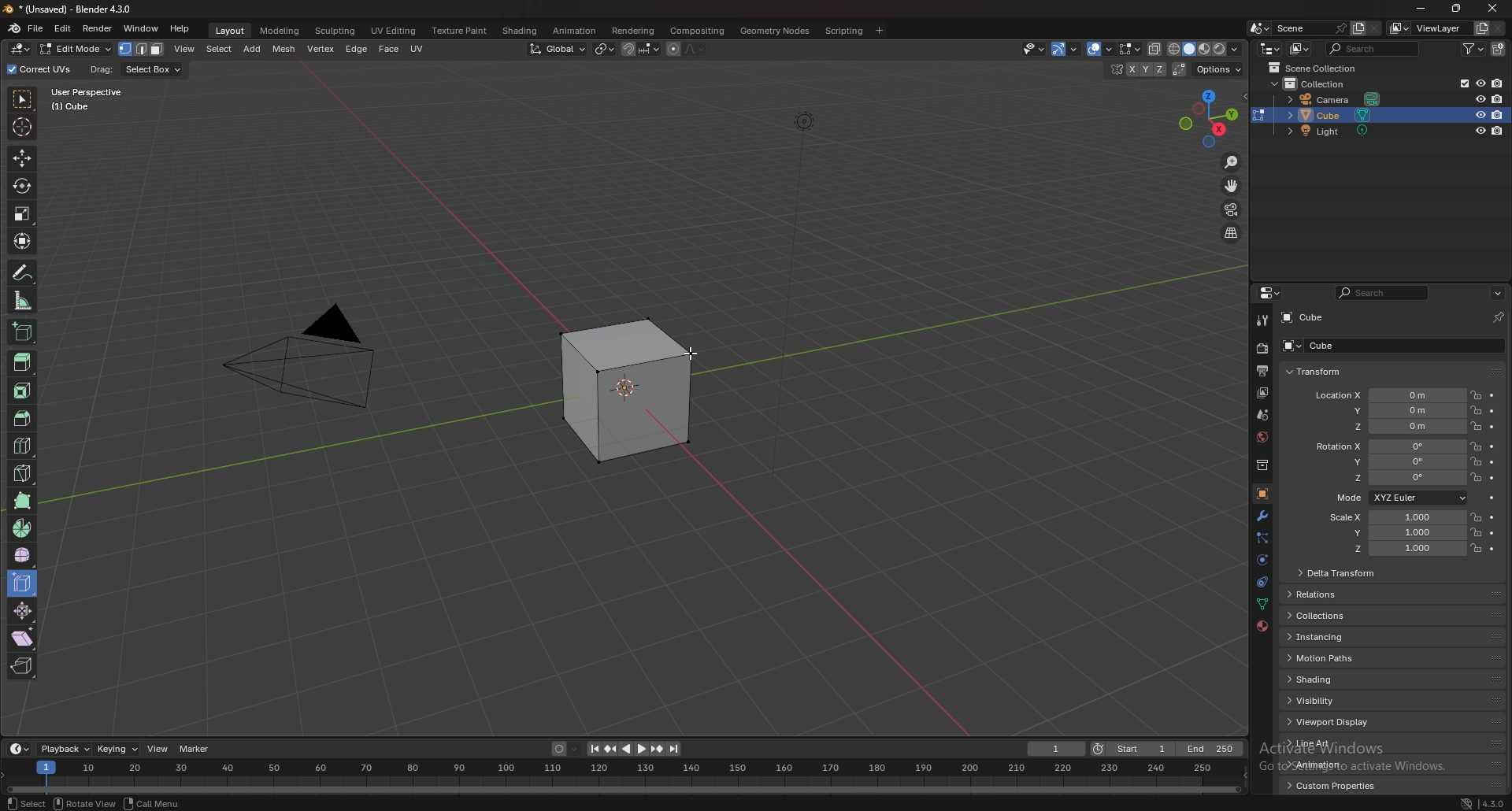 The height and width of the screenshot is (811, 1512). I want to click on camera view, so click(1232, 209).